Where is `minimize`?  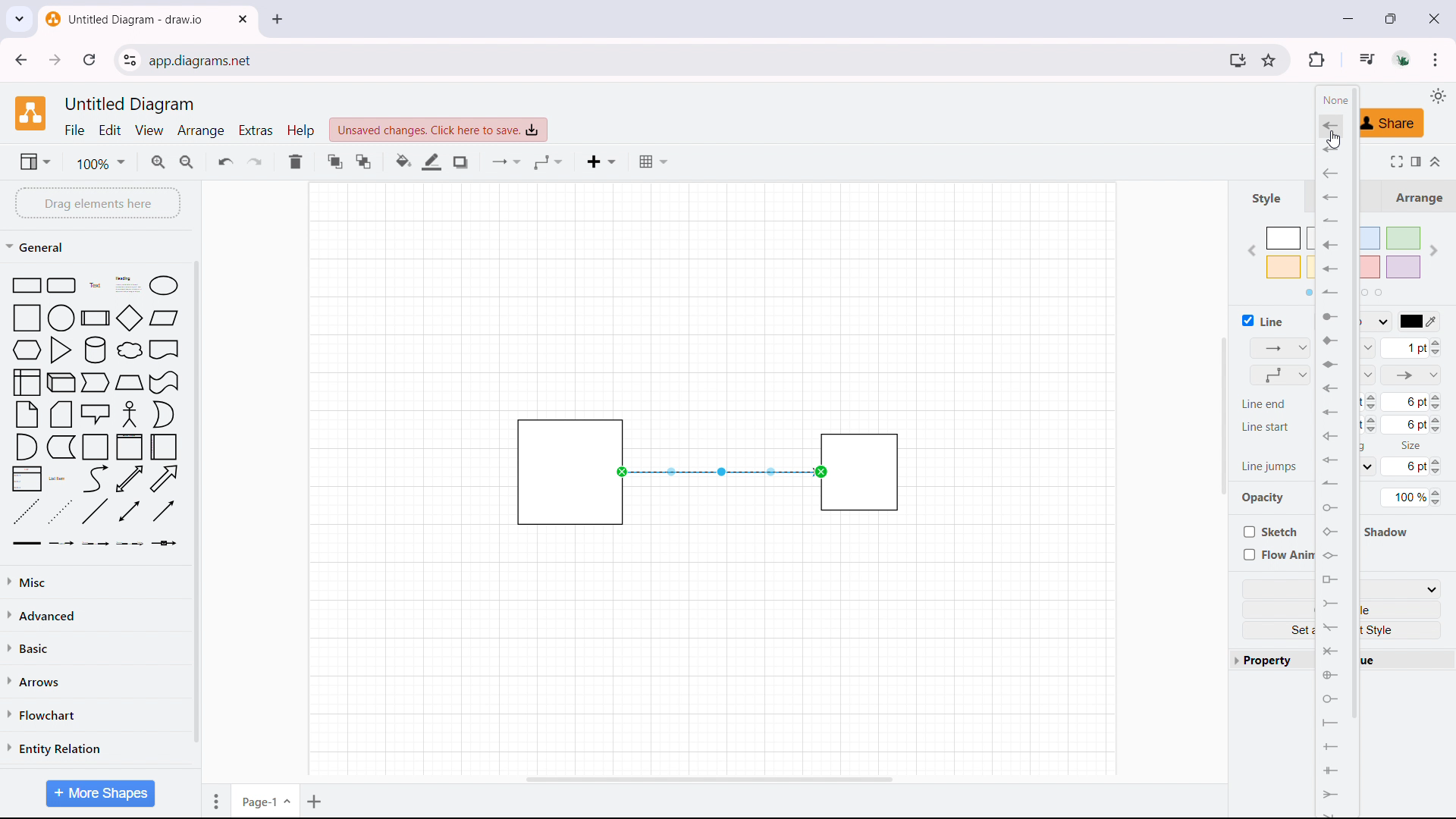 minimize is located at coordinates (1348, 18).